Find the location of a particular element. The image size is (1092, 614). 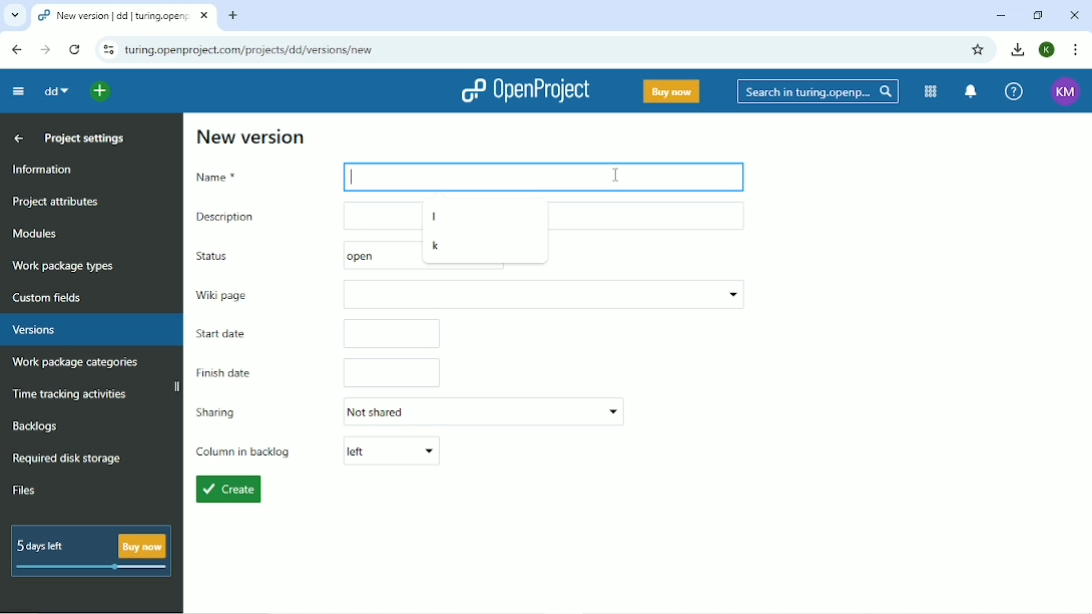

Name is located at coordinates (253, 177).